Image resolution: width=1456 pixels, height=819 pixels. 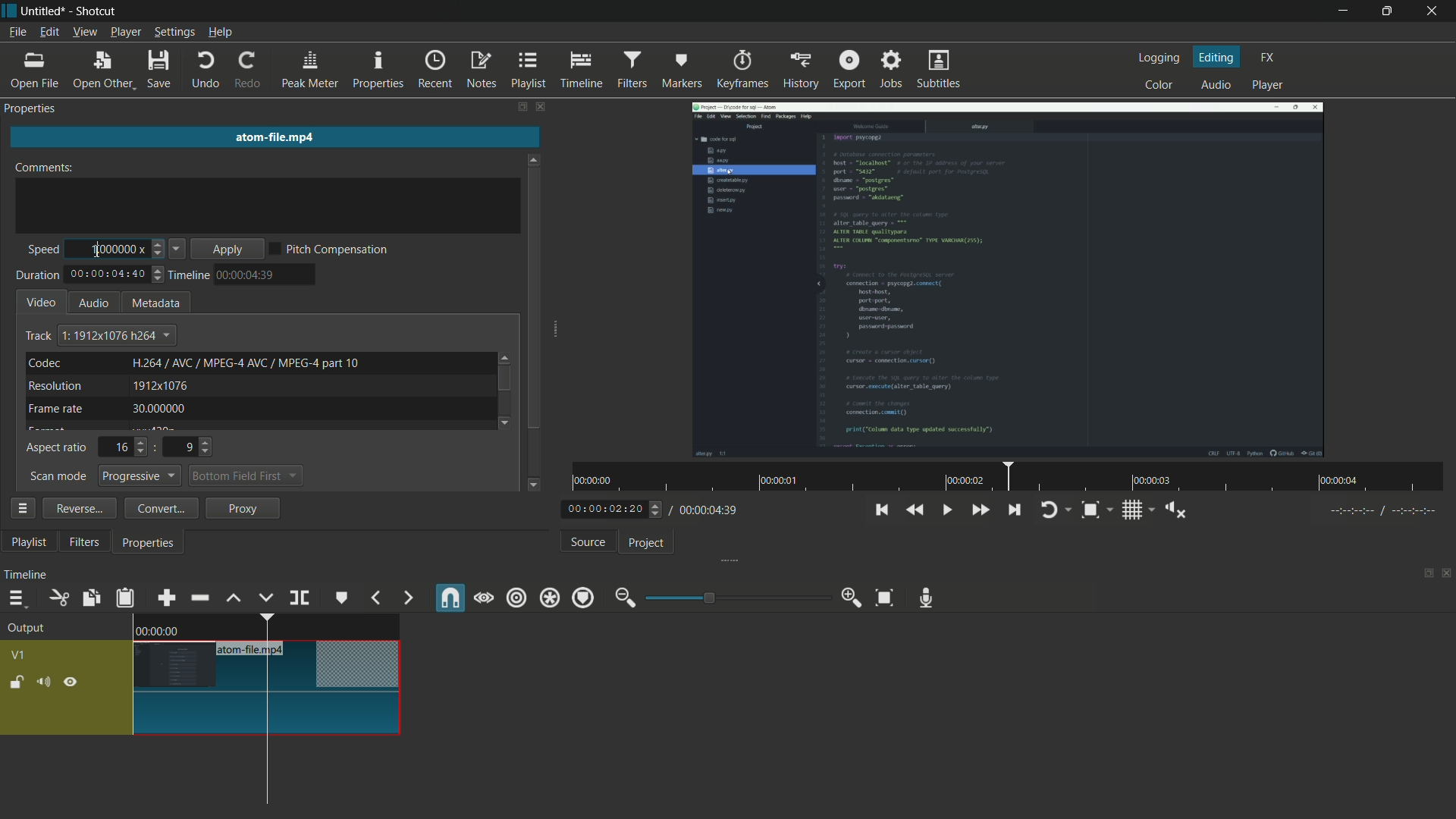 What do you see at coordinates (543, 108) in the screenshot?
I see `close filters` at bounding box center [543, 108].